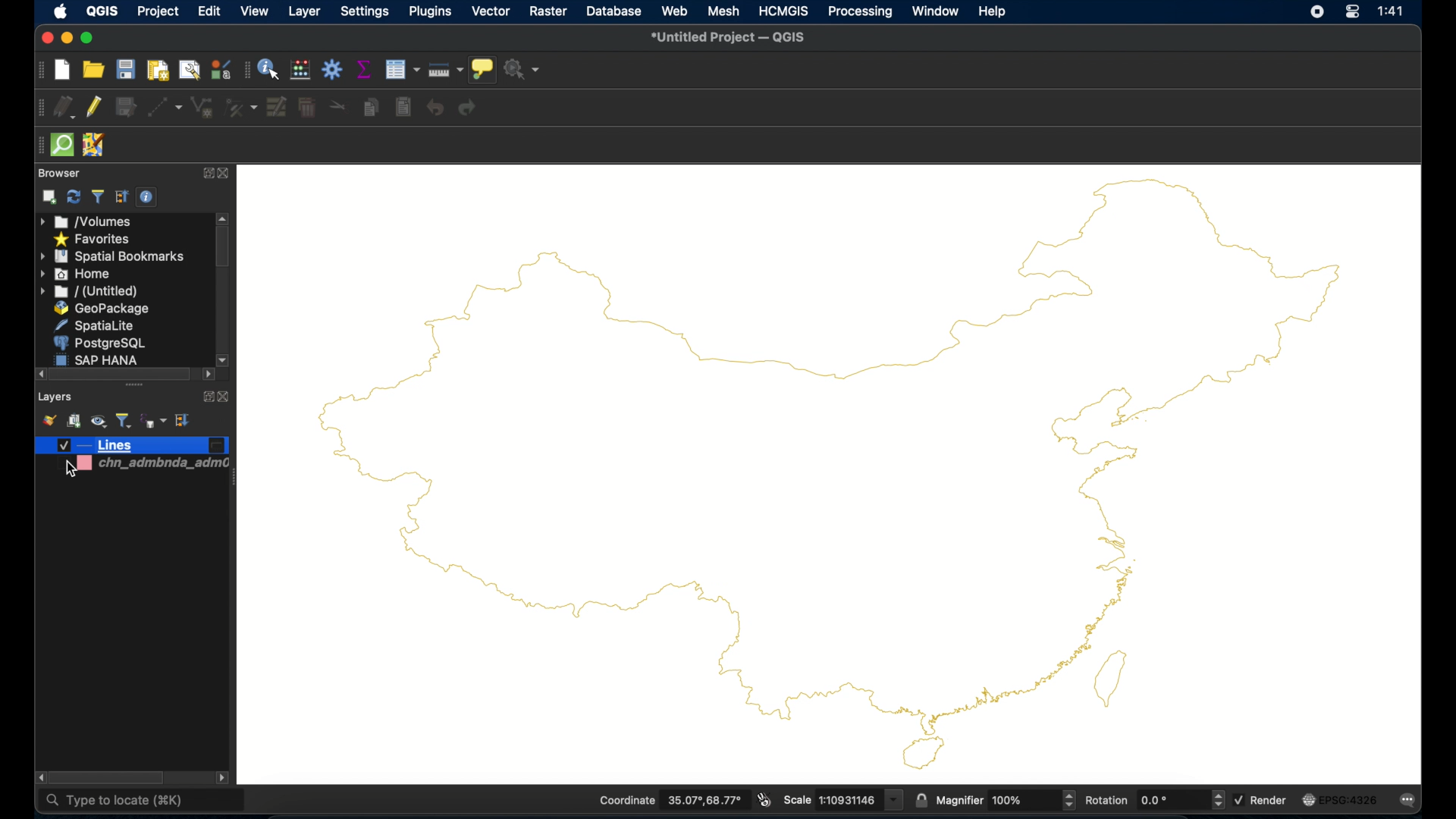 This screenshot has height=819, width=1456. What do you see at coordinates (206, 397) in the screenshot?
I see `expand` at bounding box center [206, 397].